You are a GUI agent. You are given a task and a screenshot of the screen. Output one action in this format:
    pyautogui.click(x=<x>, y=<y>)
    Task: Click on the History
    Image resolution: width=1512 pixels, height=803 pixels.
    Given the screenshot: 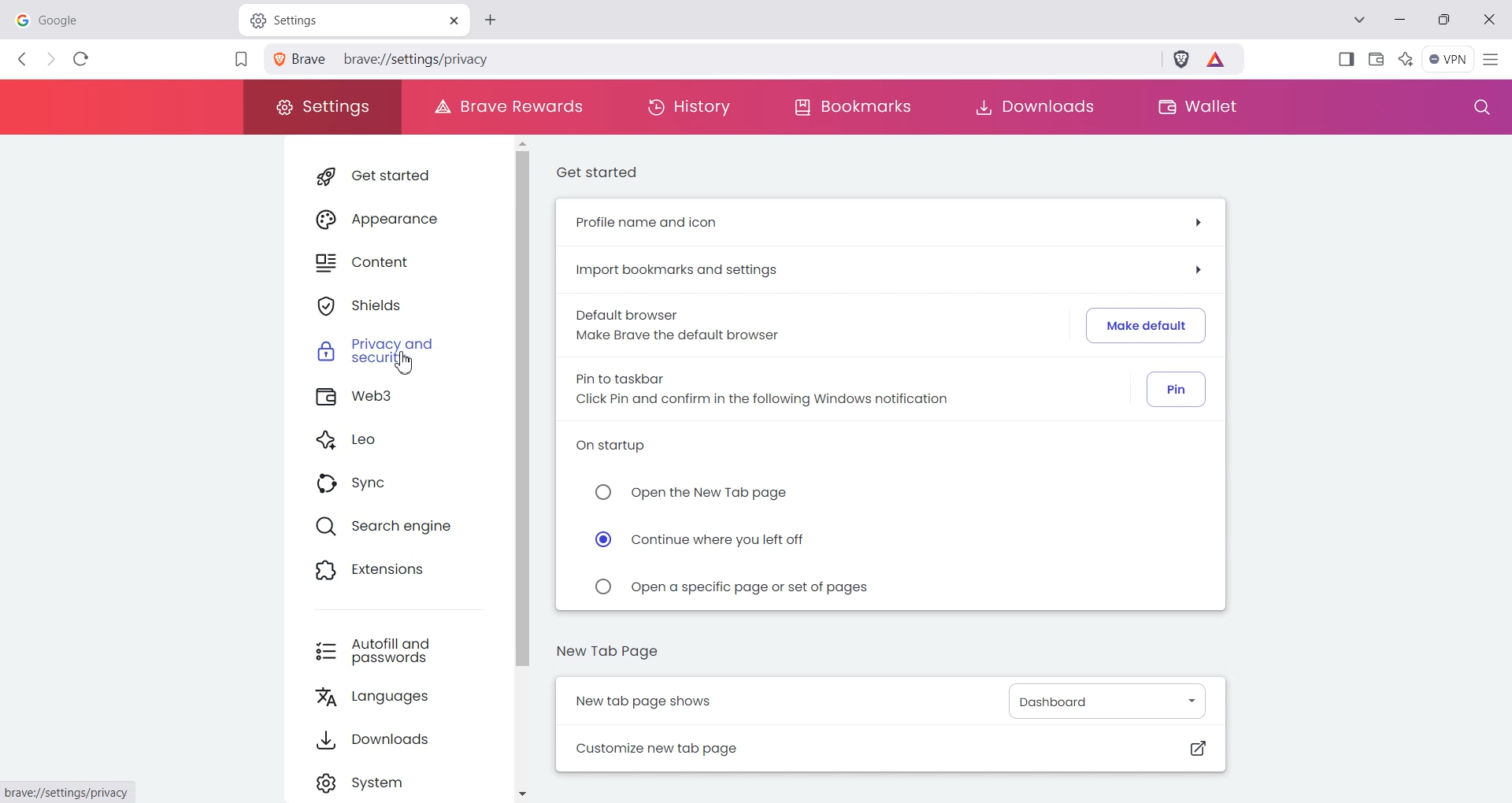 What is the action you would take?
    pyautogui.click(x=689, y=107)
    